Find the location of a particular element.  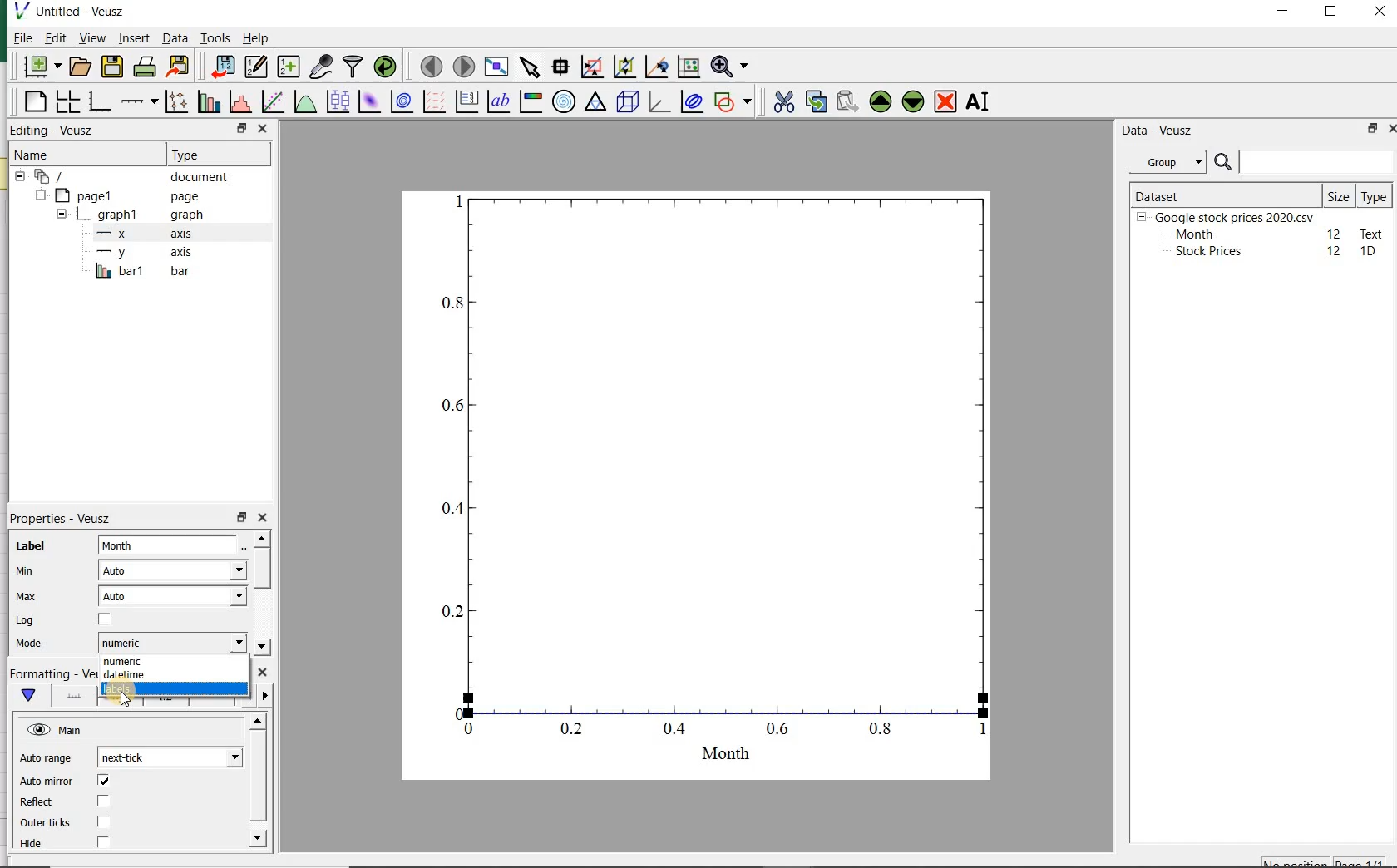

plot points with lines and errorbars is located at coordinates (173, 103).